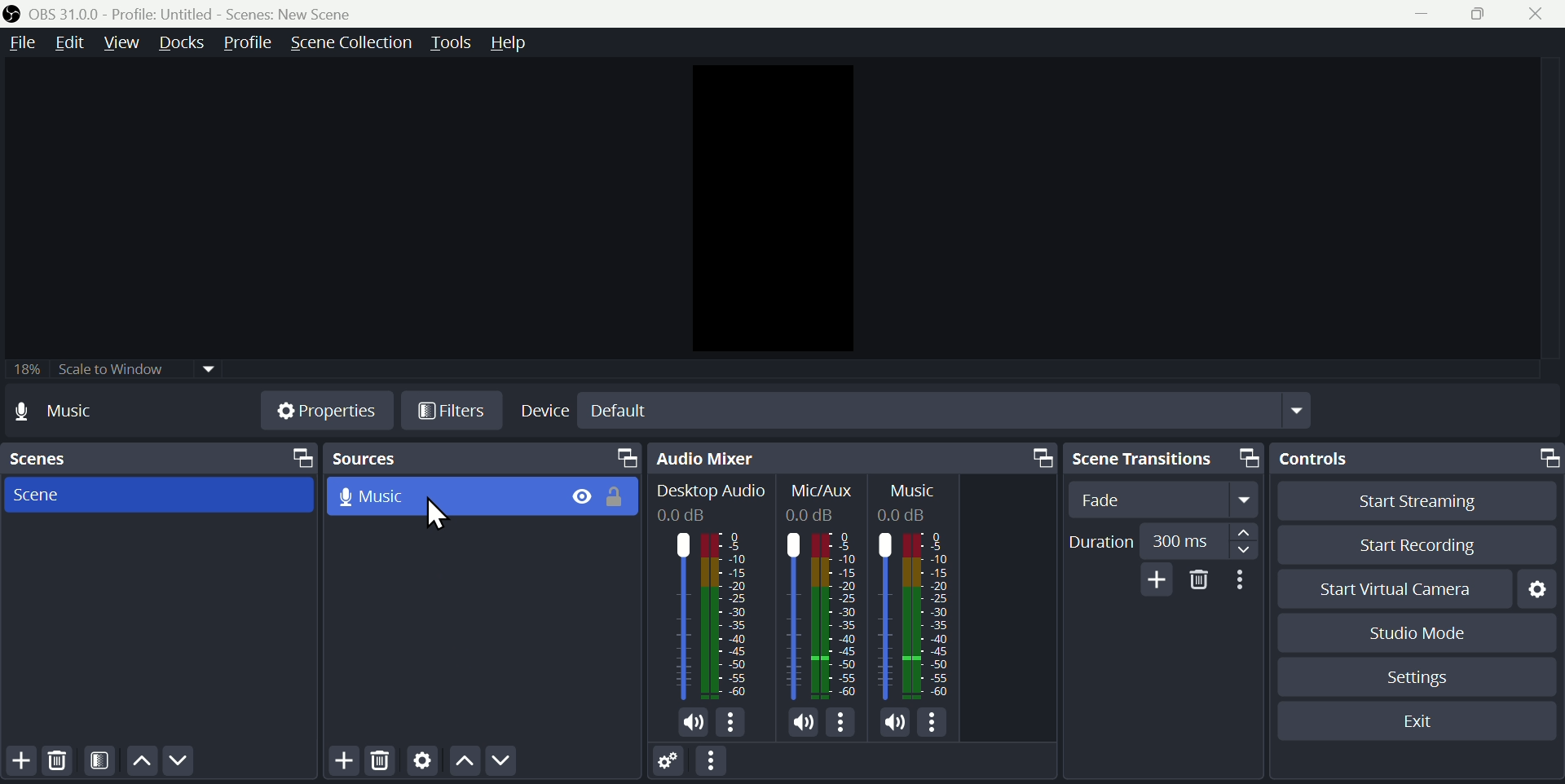 Image resolution: width=1565 pixels, height=784 pixels. Describe the element at coordinates (103, 760) in the screenshot. I see `Felters` at that location.